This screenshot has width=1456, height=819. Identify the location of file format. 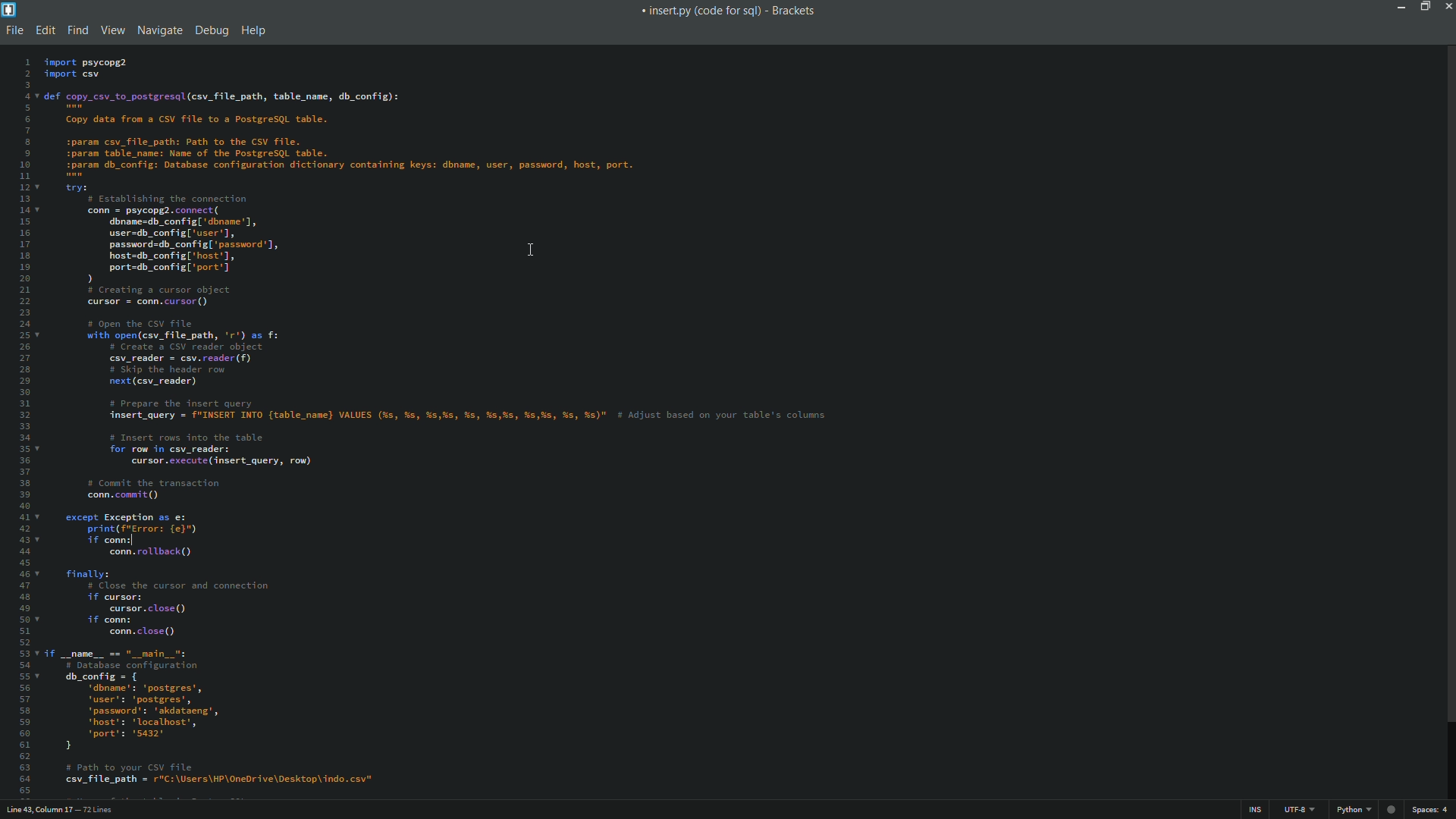
(1354, 810).